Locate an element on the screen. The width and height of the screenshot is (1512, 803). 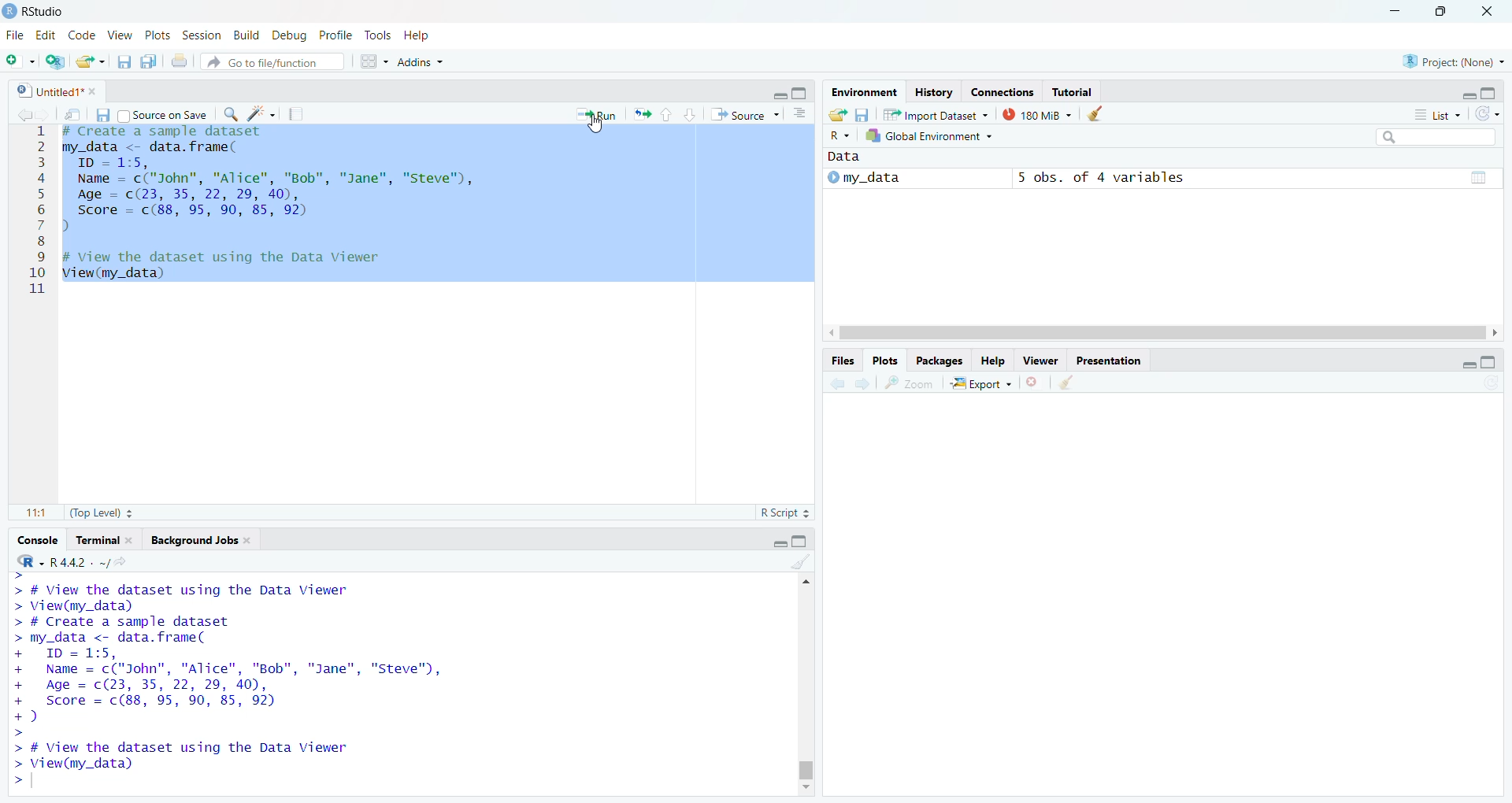
Edit is located at coordinates (47, 35).